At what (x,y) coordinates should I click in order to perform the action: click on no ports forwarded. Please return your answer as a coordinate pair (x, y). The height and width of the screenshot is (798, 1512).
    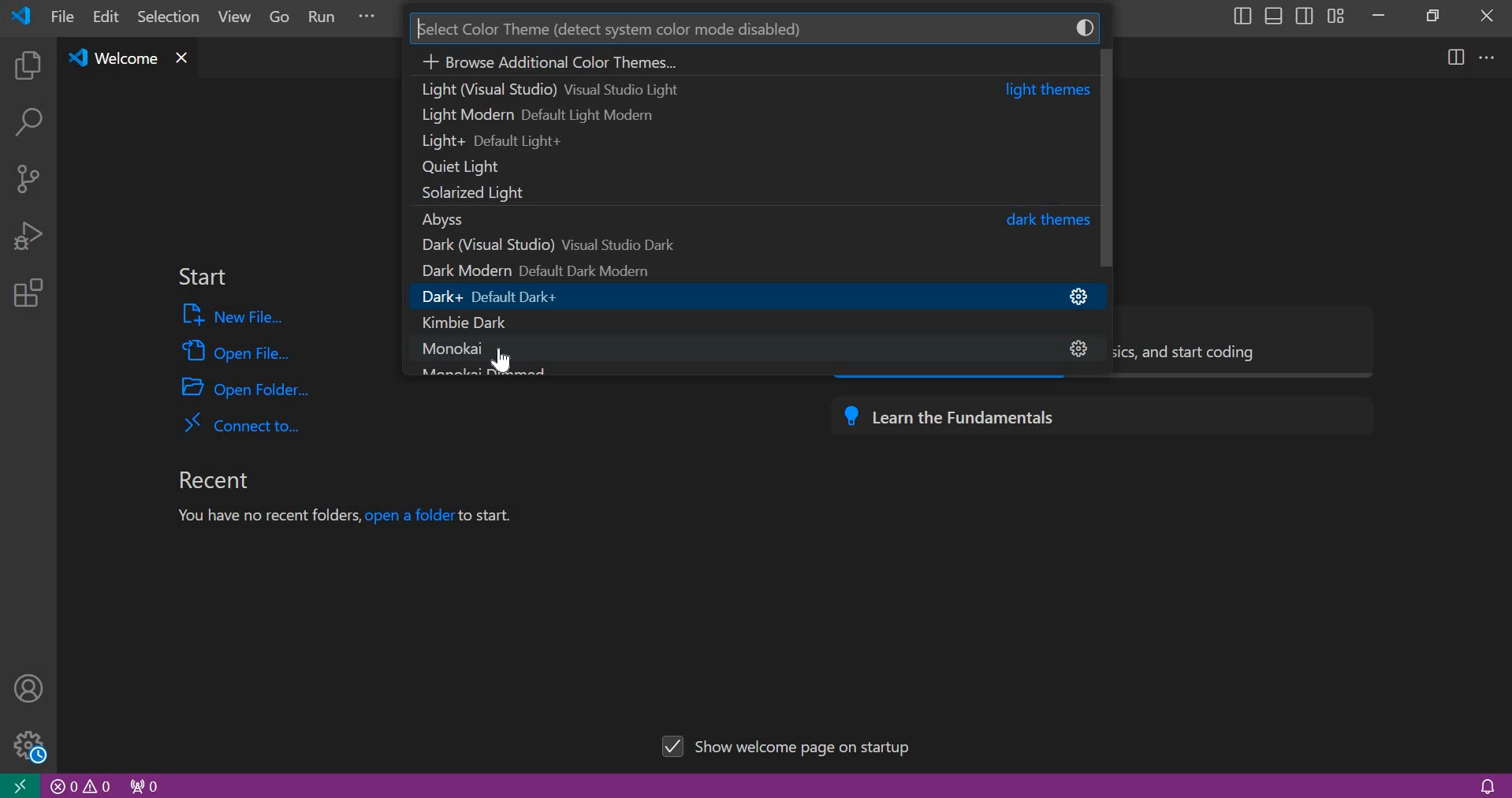
    Looking at the image, I should click on (145, 785).